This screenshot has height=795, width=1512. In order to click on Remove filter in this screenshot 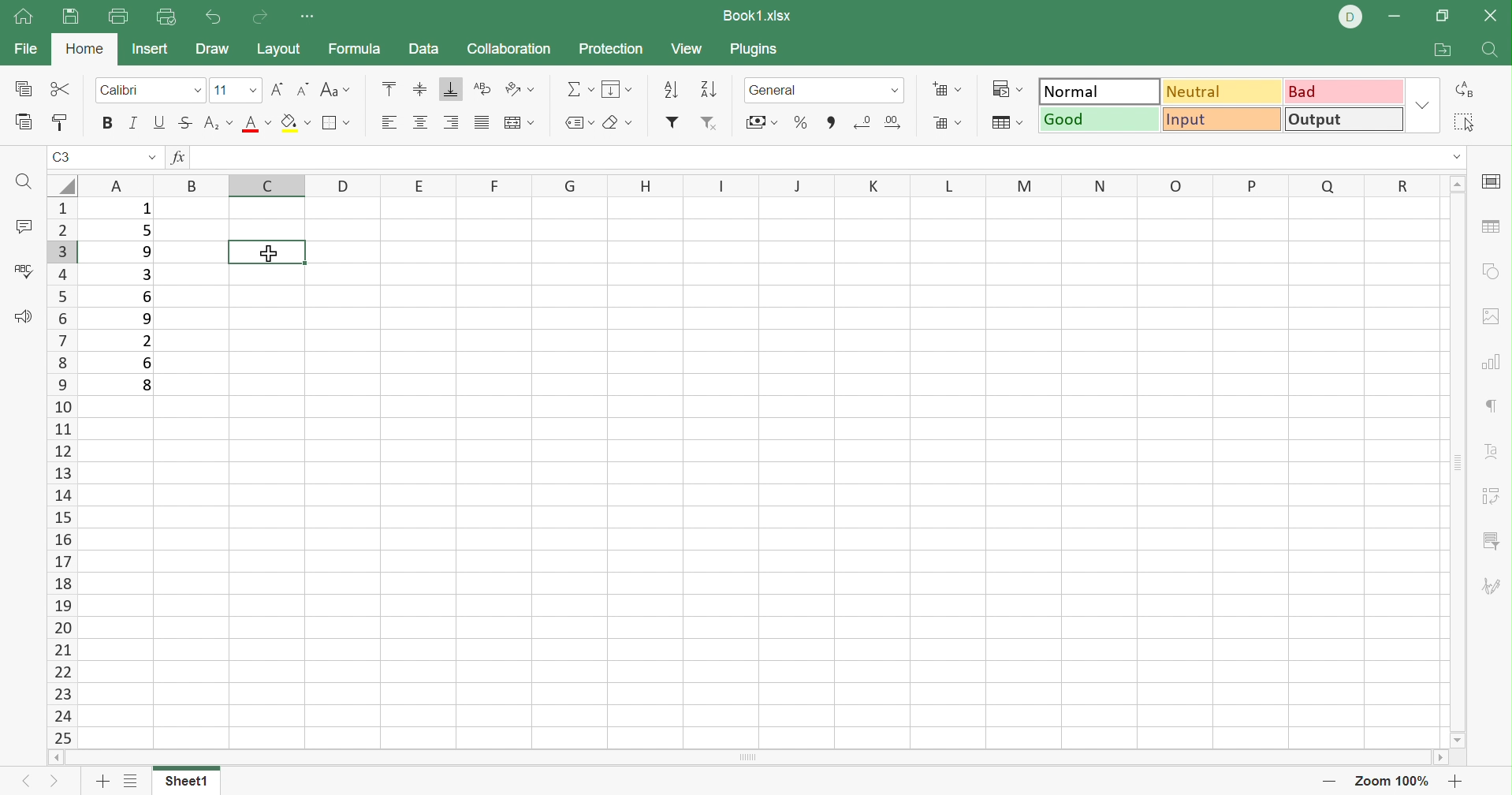, I will do `click(709, 125)`.